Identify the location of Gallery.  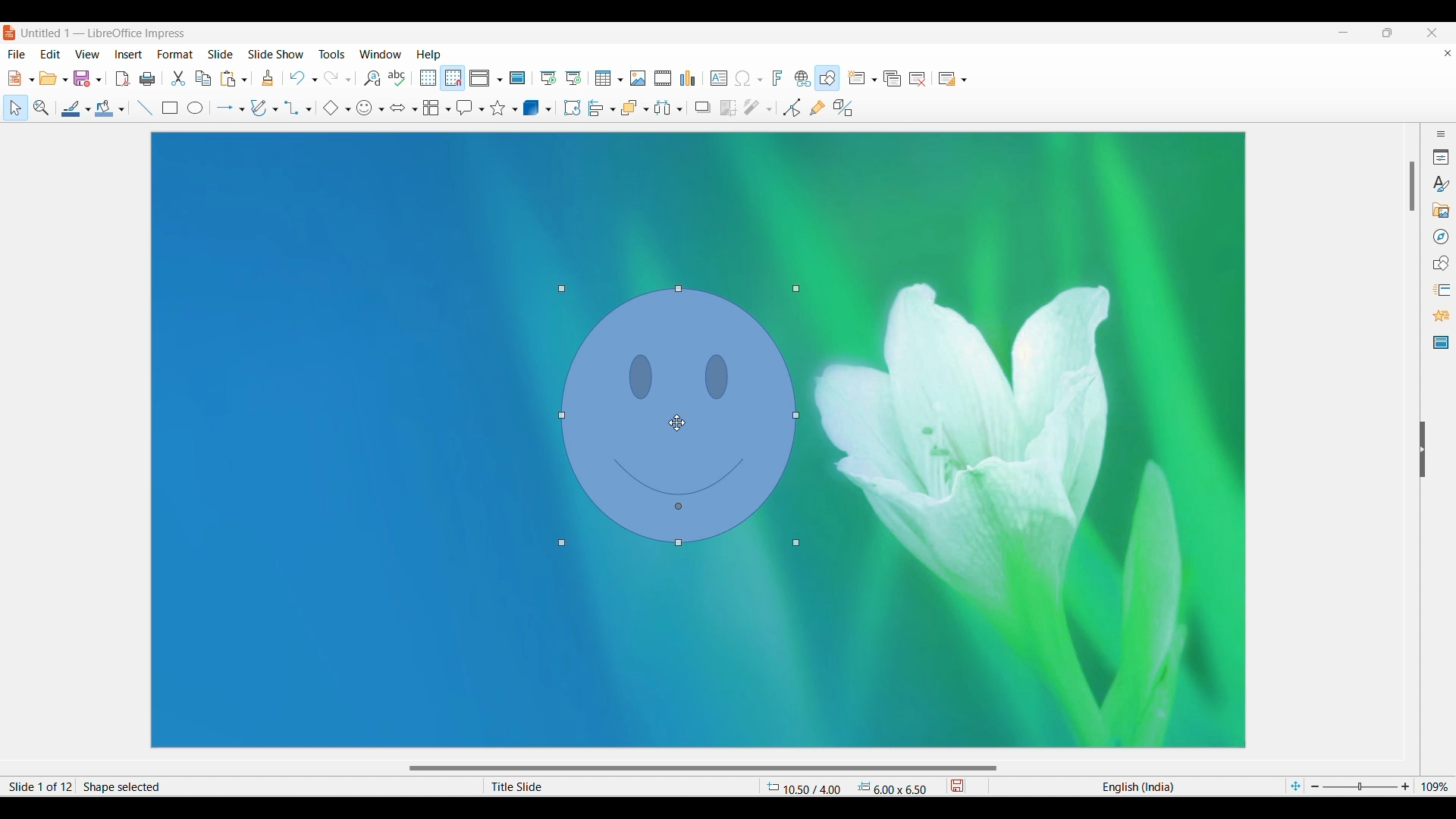
(1440, 210).